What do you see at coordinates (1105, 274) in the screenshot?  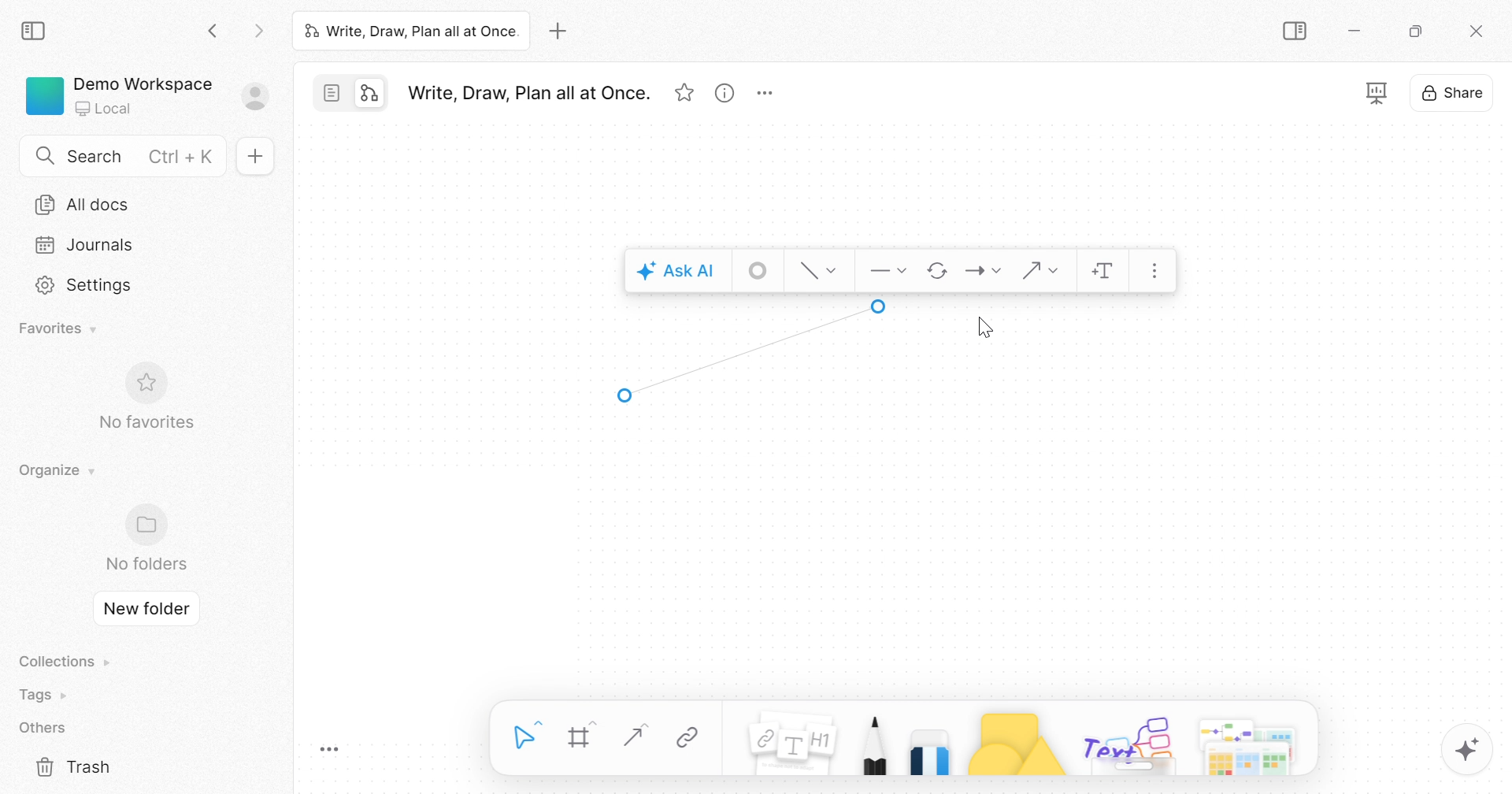 I see `Add text` at bounding box center [1105, 274].